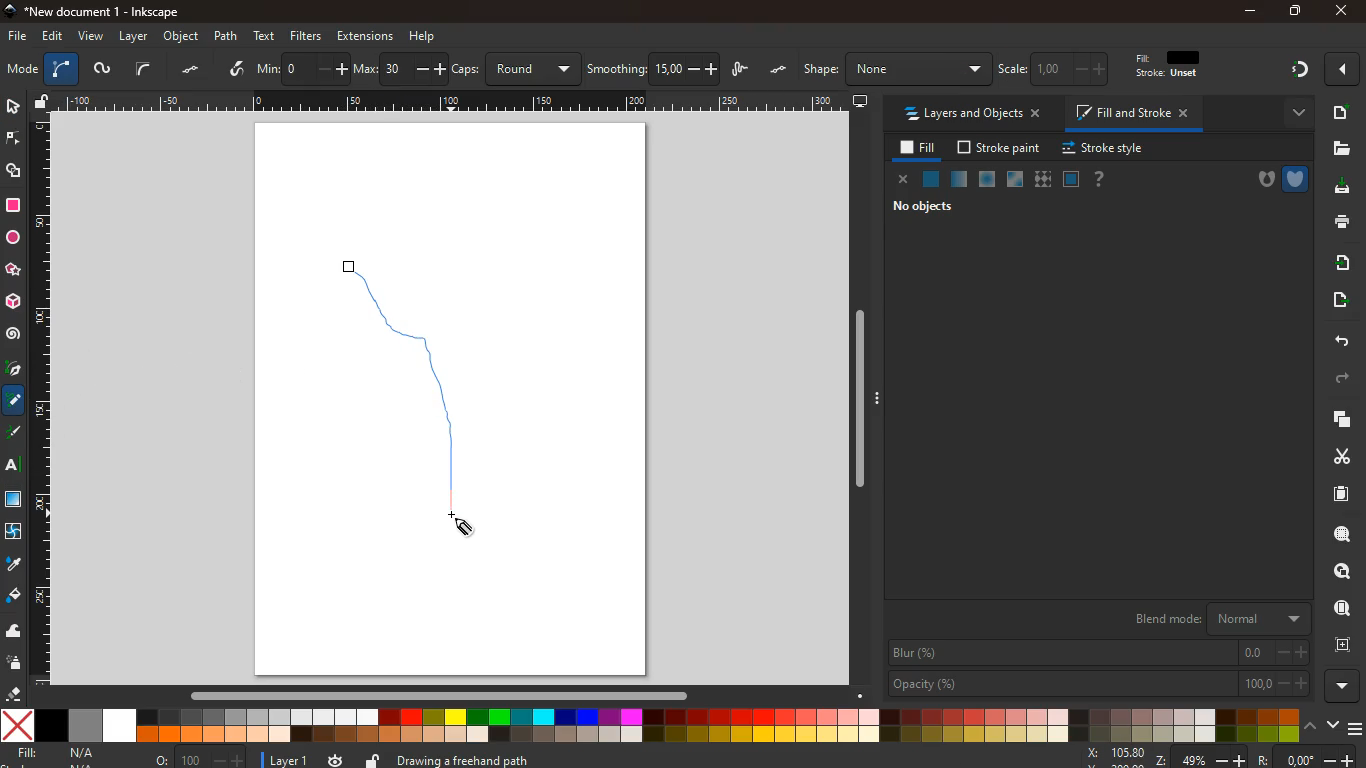  What do you see at coordinates (374, 759) in the screenshot?
I see `unlock` at bounding box center [374, 759].